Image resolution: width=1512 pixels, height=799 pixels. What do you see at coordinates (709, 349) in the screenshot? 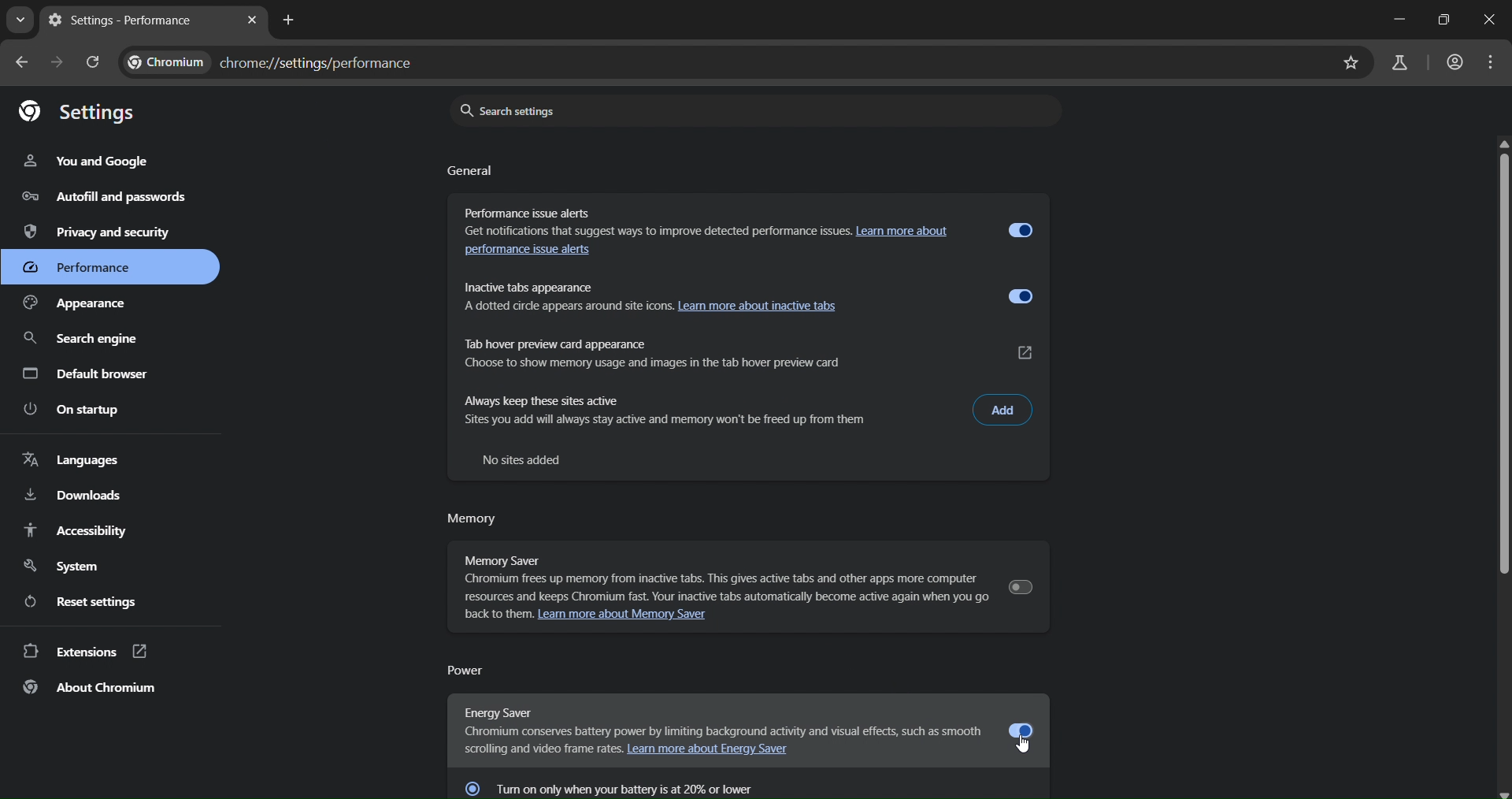
I see `tab hover preview card appearance` at bounding box center [709, 349].